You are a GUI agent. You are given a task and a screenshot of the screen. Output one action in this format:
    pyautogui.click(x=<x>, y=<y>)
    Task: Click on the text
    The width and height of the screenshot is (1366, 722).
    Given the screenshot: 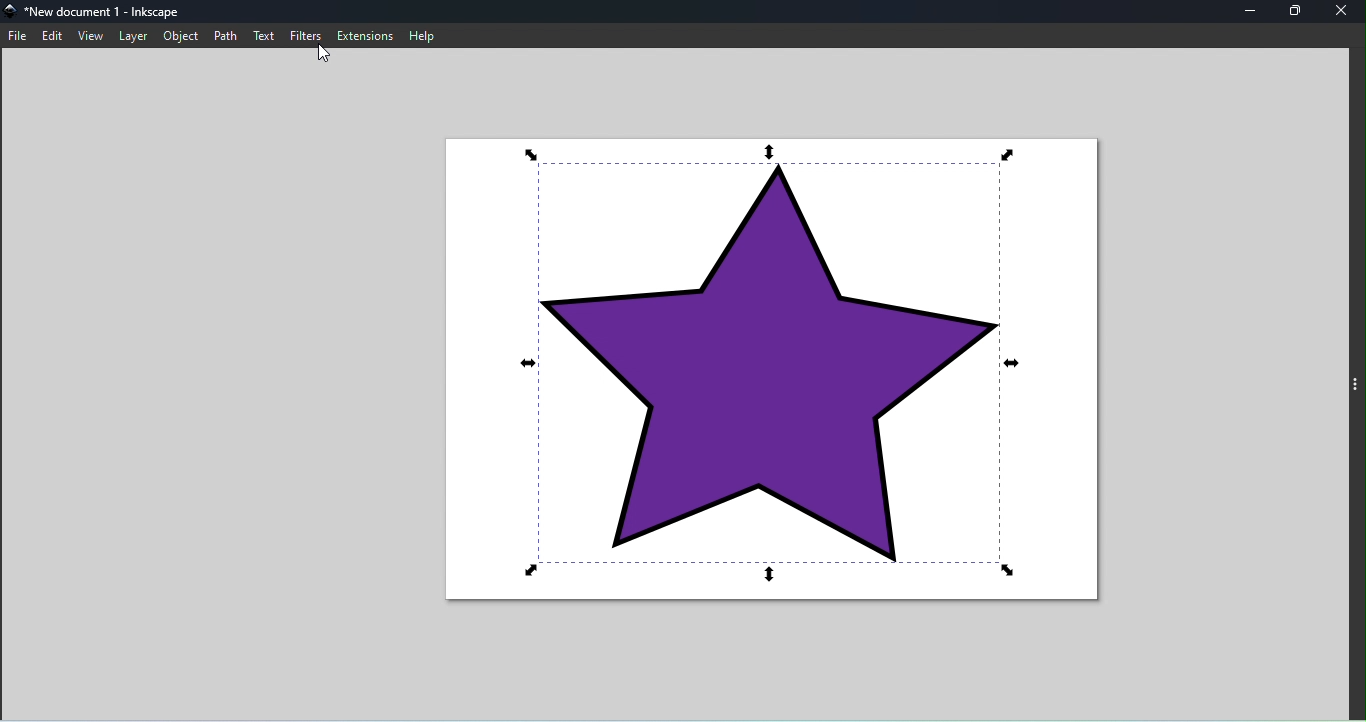 What is the action you would take?
    pyautogui.click(x=262, y=35)
    